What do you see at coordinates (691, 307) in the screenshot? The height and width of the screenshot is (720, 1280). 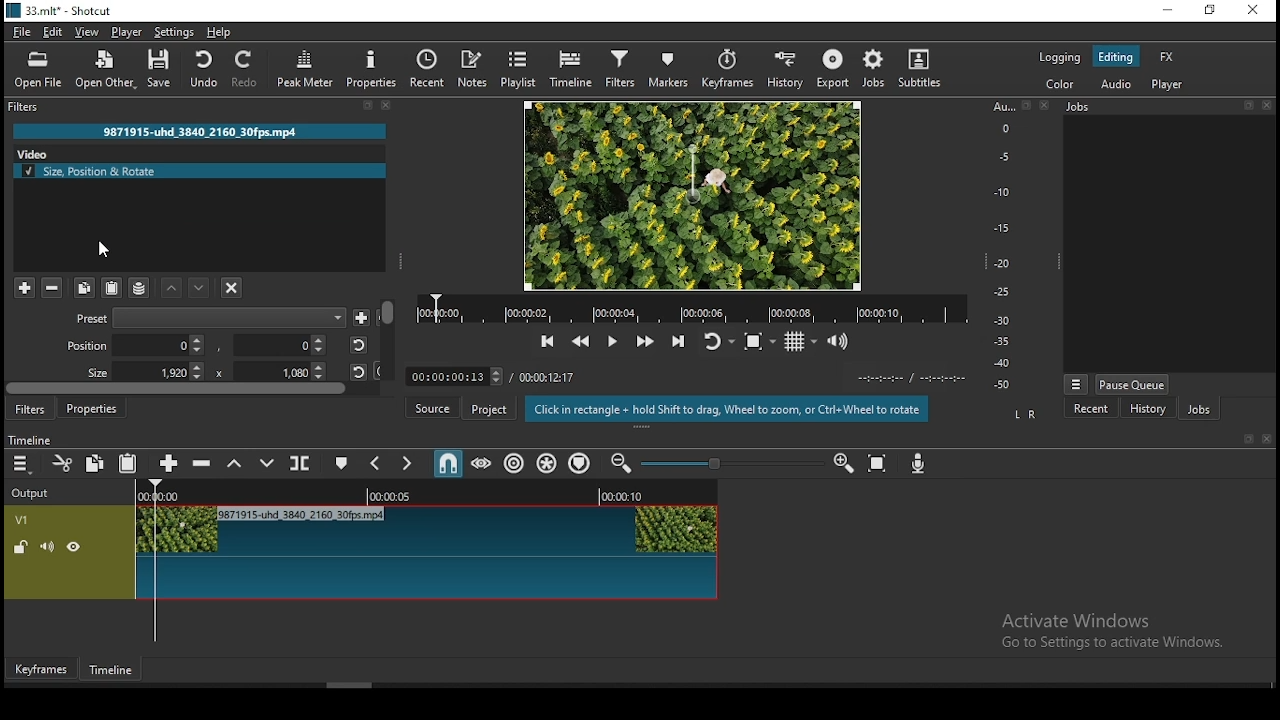 I see `video time duration bar` at bounding box center [691, 307].